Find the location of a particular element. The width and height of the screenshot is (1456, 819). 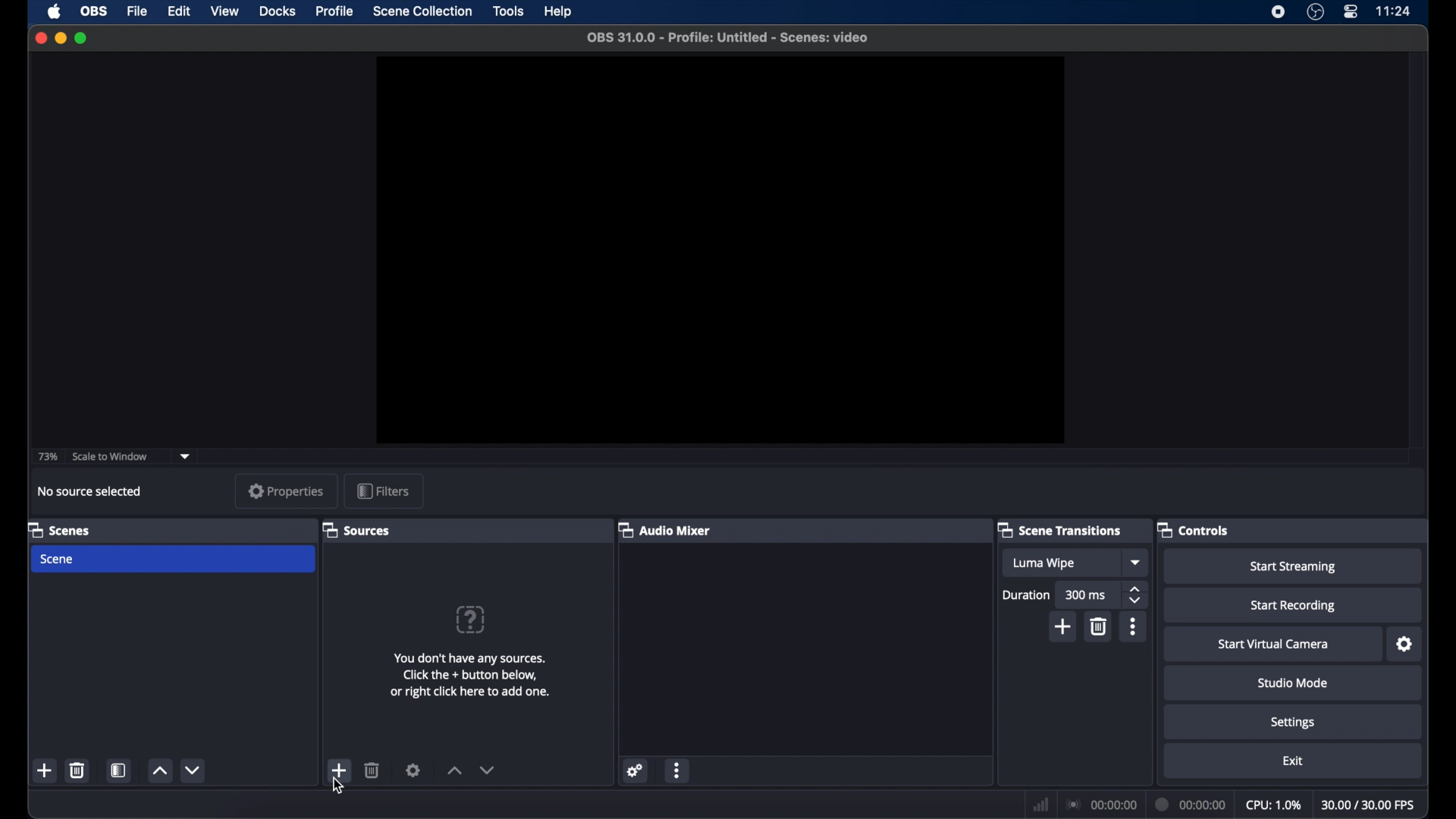

add is located at coordinates (1064, 626).